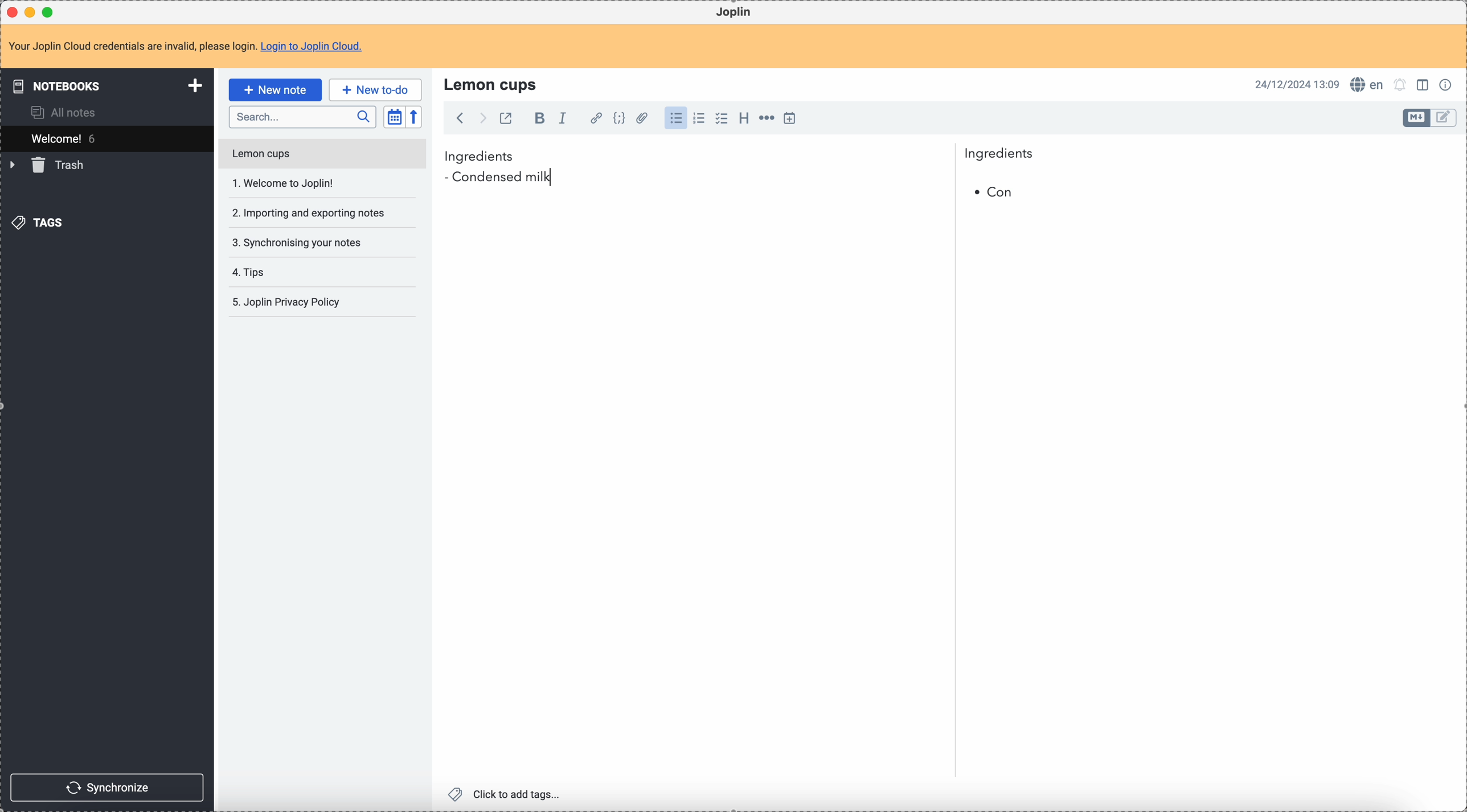 This screenshot has height=812, width=1467. What do you see at coordinates (394, 117) in the screenshot?
I see `toggle sort order field` at bounding box center [394, 117].